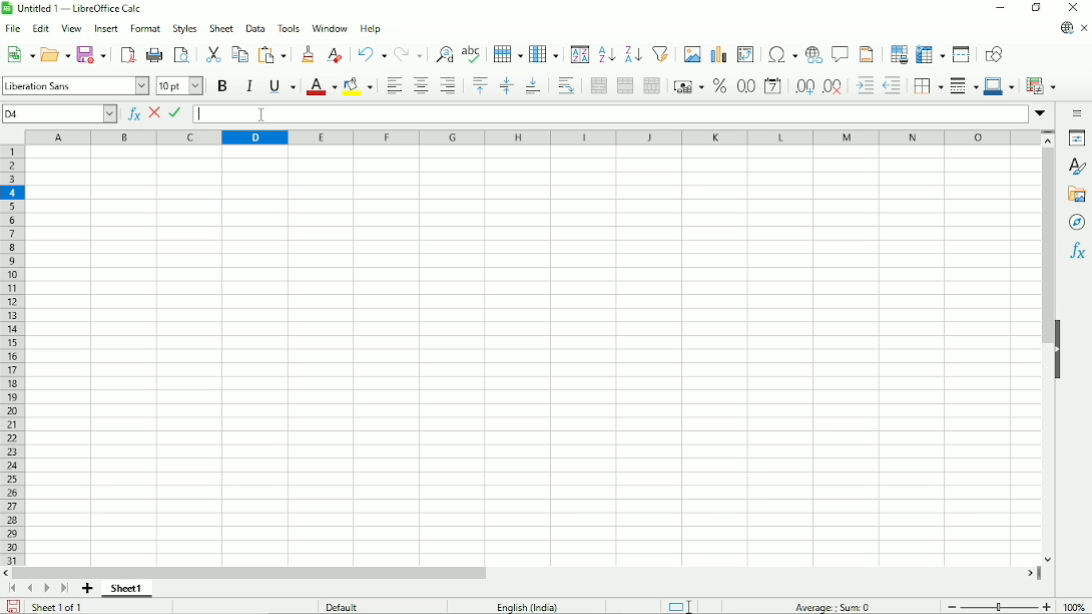 This screenshot has width=1092, height=614. Describe the element at coordinates (966, 86) in the screenshot. I see `Border style` at that location.